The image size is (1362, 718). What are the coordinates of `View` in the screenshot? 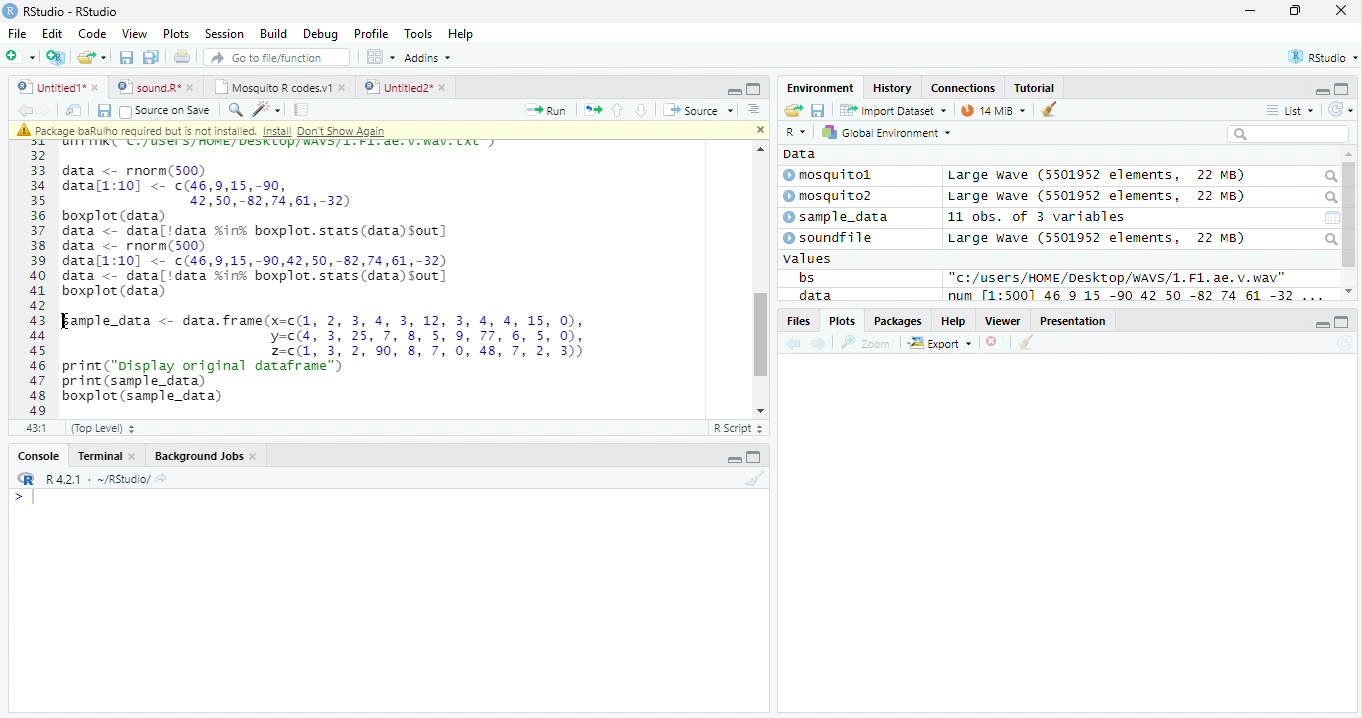 It's located at (136, 33).